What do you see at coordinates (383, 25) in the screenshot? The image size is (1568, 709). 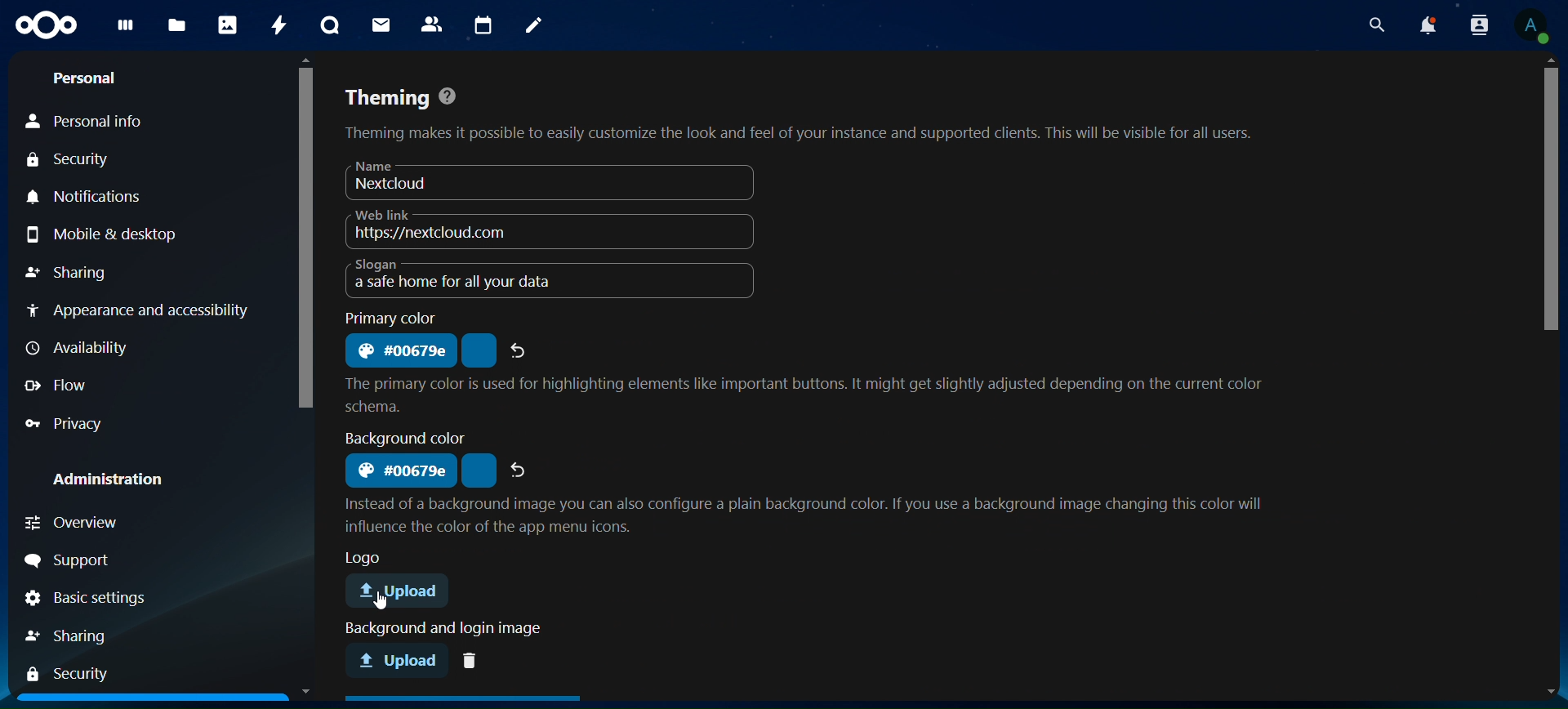 I see `mail` at bounding box center [383, 25].